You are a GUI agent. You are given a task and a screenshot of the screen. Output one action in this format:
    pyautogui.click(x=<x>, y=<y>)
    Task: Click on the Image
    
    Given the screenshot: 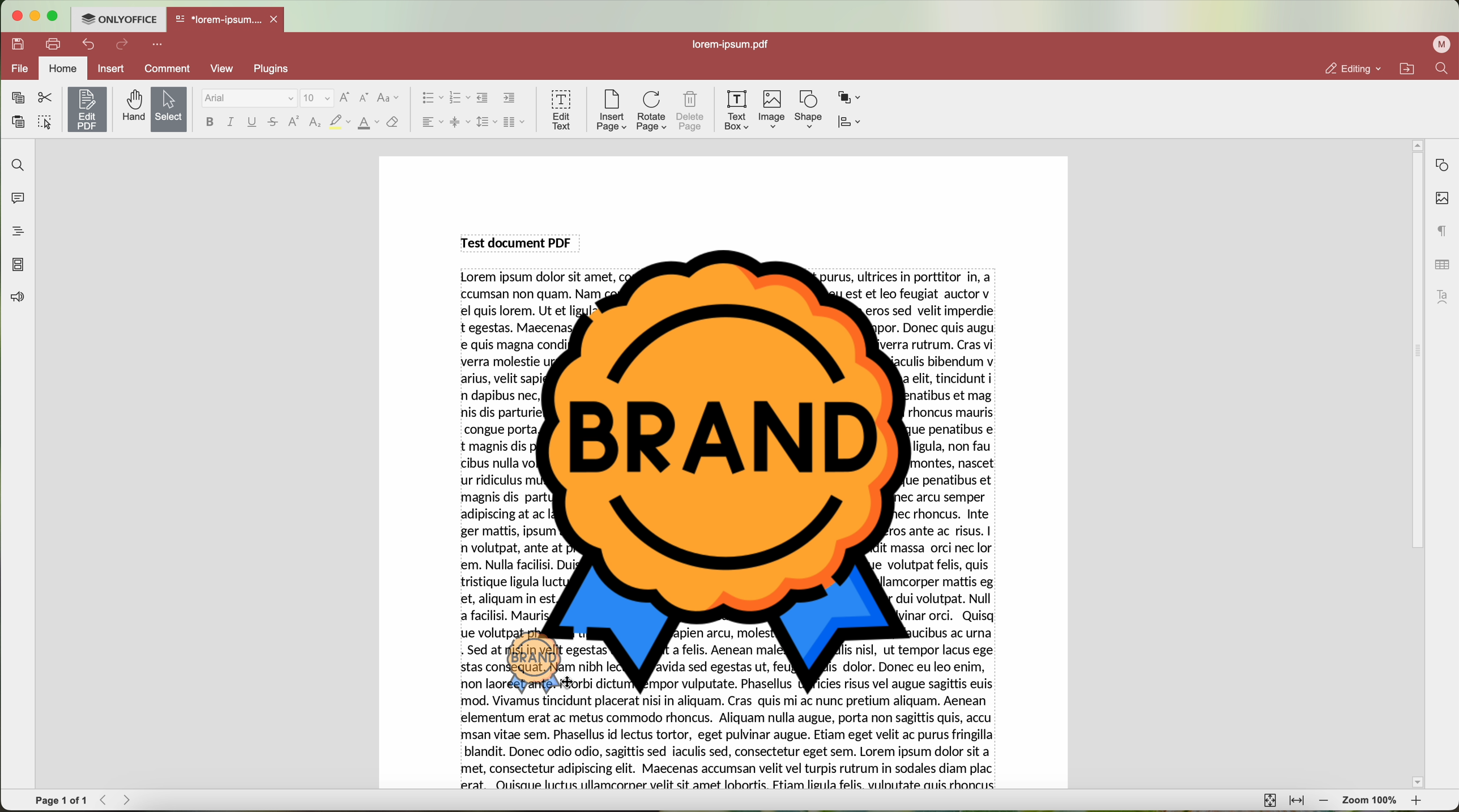 What is the action you would take?
    pyautogui.click(x=723, y=474)
    